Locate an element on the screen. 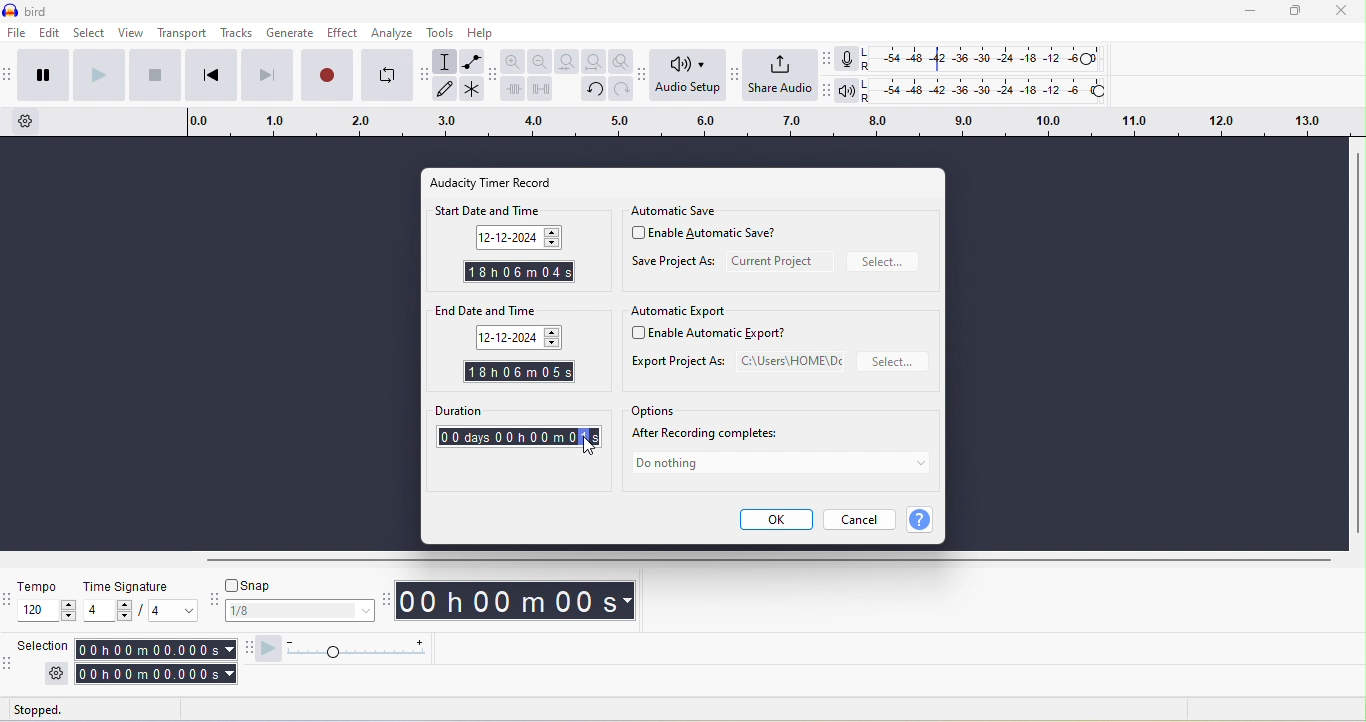 The width and height of the screenshot is (1366, 722). audacity transport toolbar is located at coordinates (9, 74).